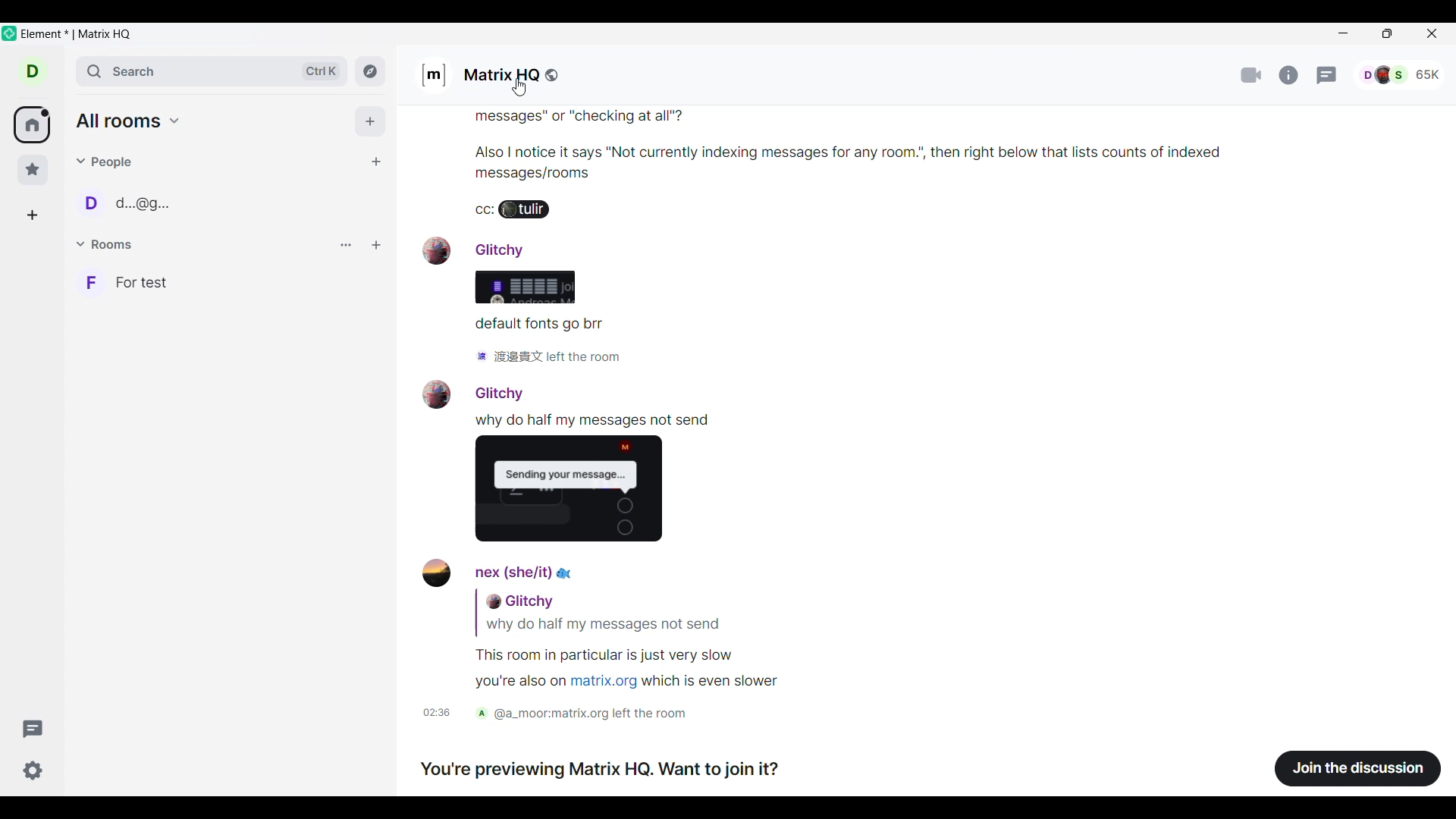  I want to click on default fonts go brr, so click(540, 325).